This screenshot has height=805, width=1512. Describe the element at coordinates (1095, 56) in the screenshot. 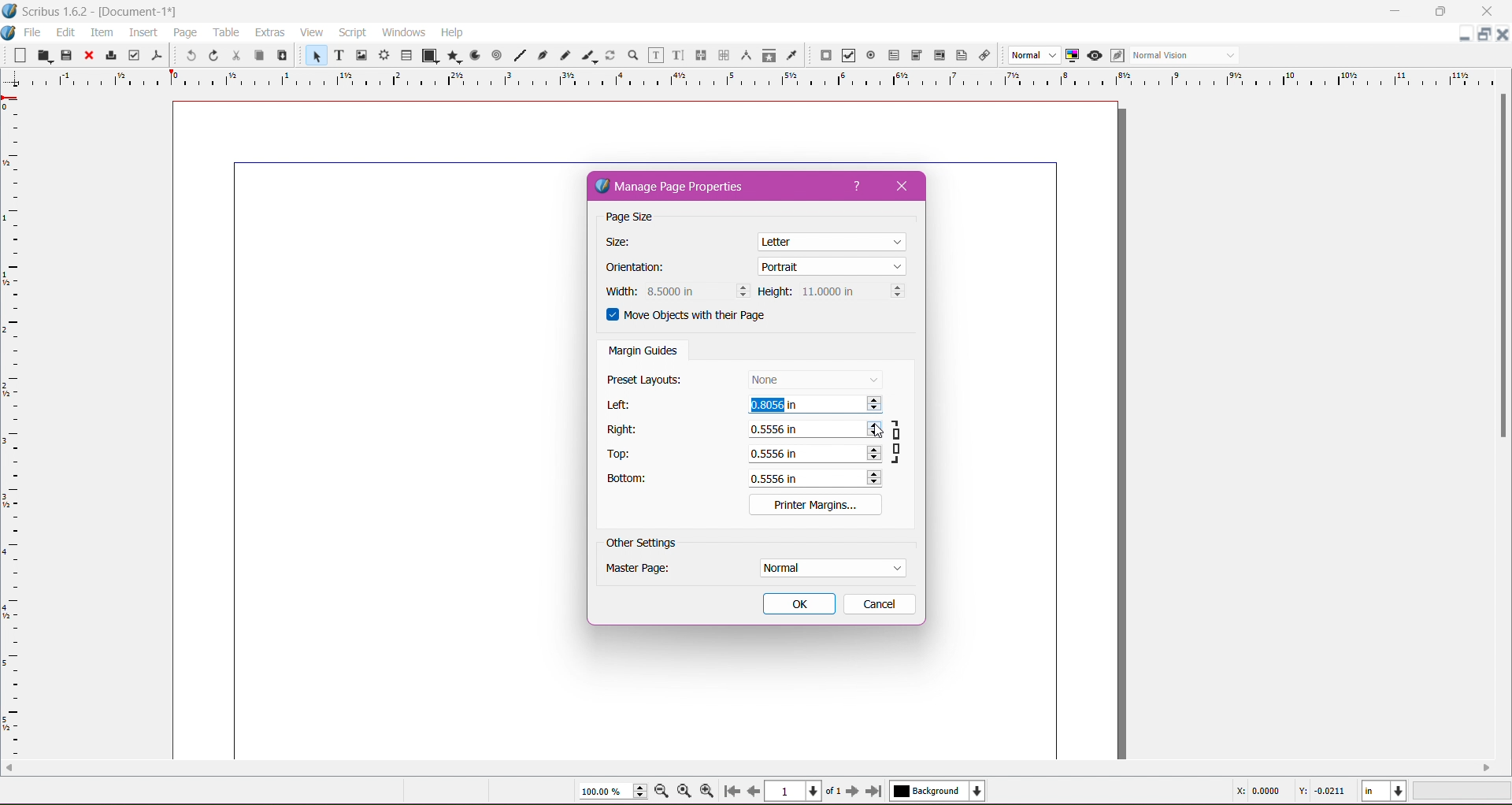

I see `Preview mode` at that location.